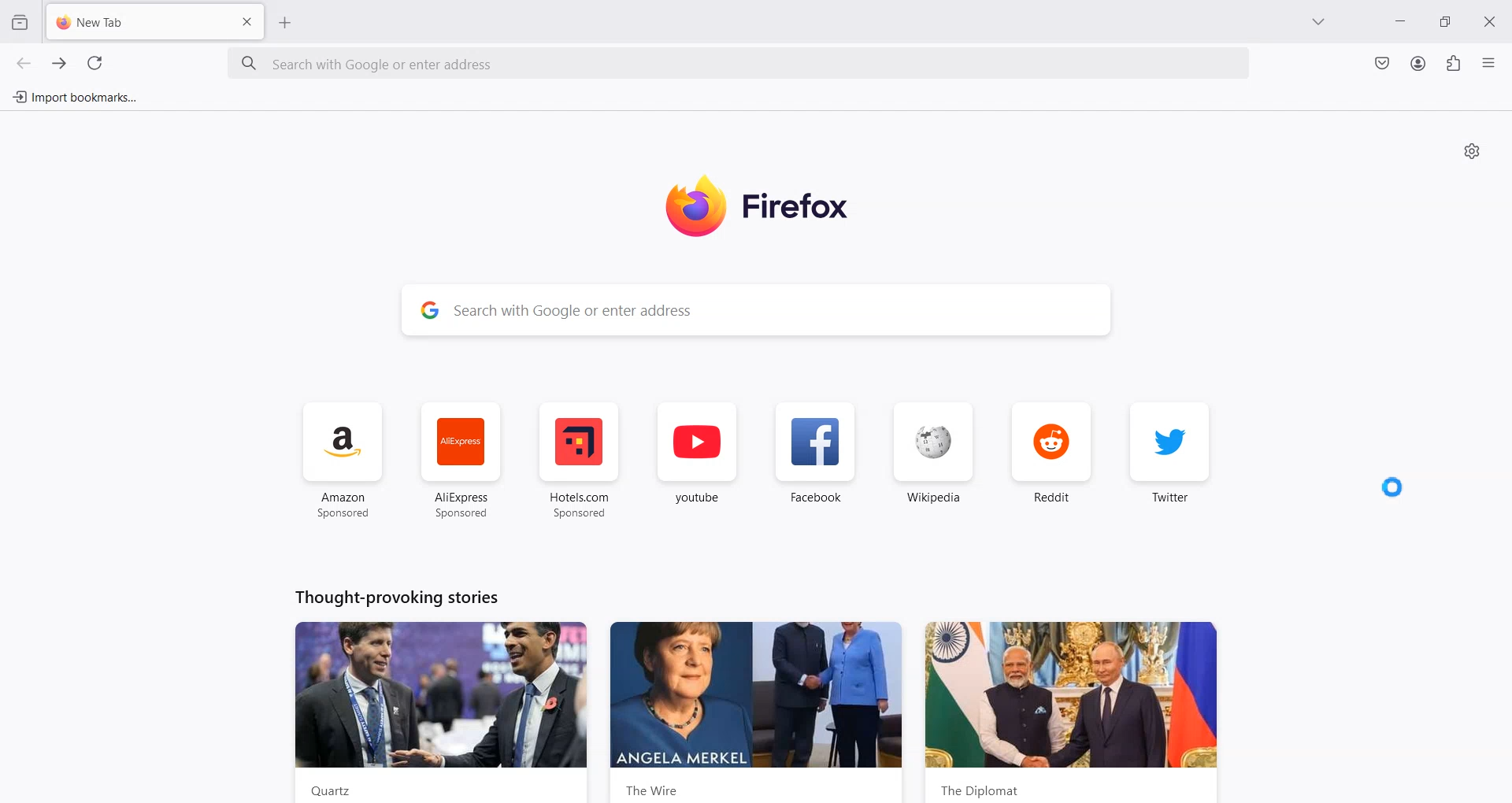 The height and width of the screenshot is (803, 1512). I want to click on Import bookmarks, so click(75, 97).